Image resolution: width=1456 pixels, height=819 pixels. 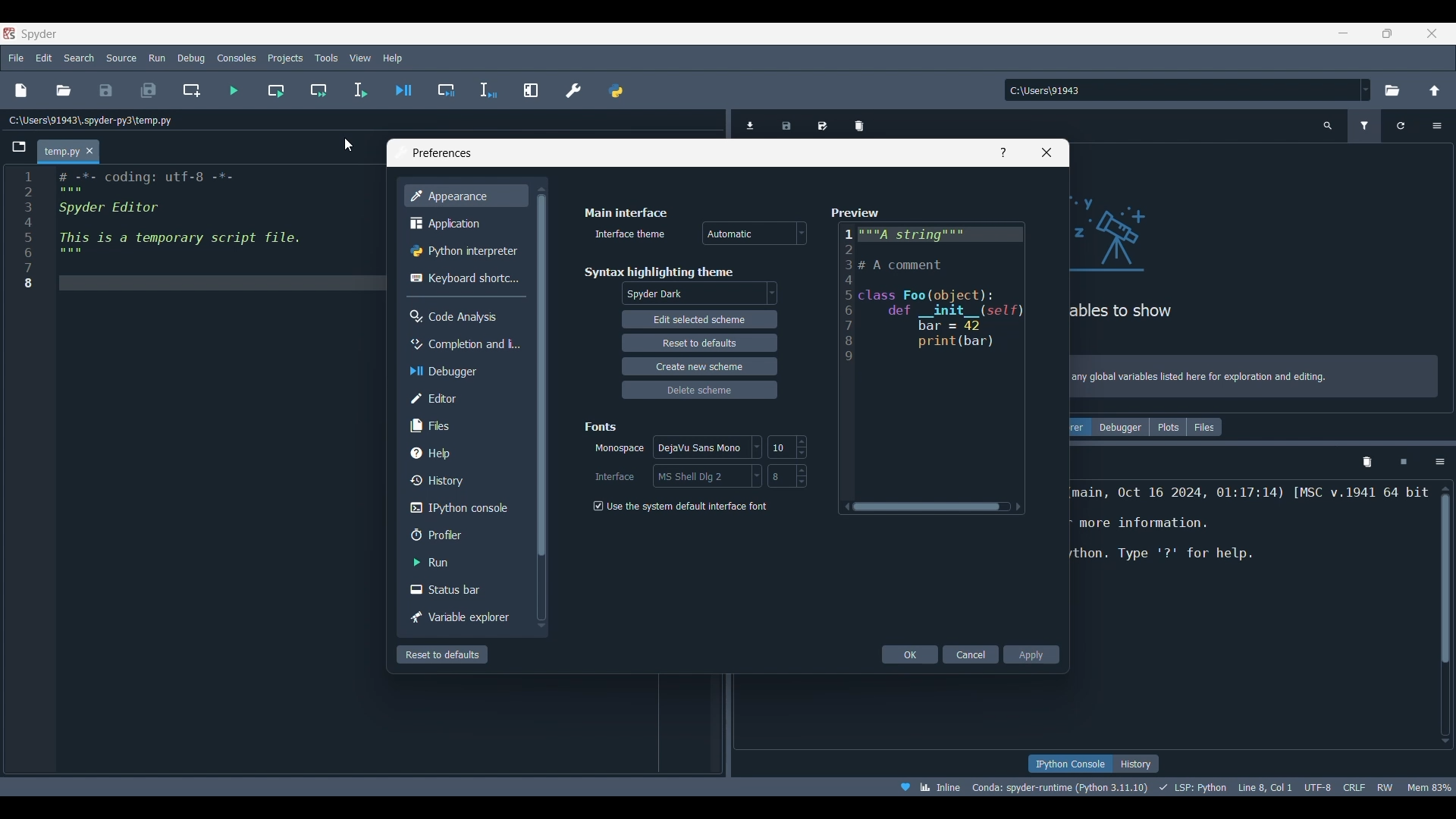 I want to click on Debugger, so click(x=1118, y=428).